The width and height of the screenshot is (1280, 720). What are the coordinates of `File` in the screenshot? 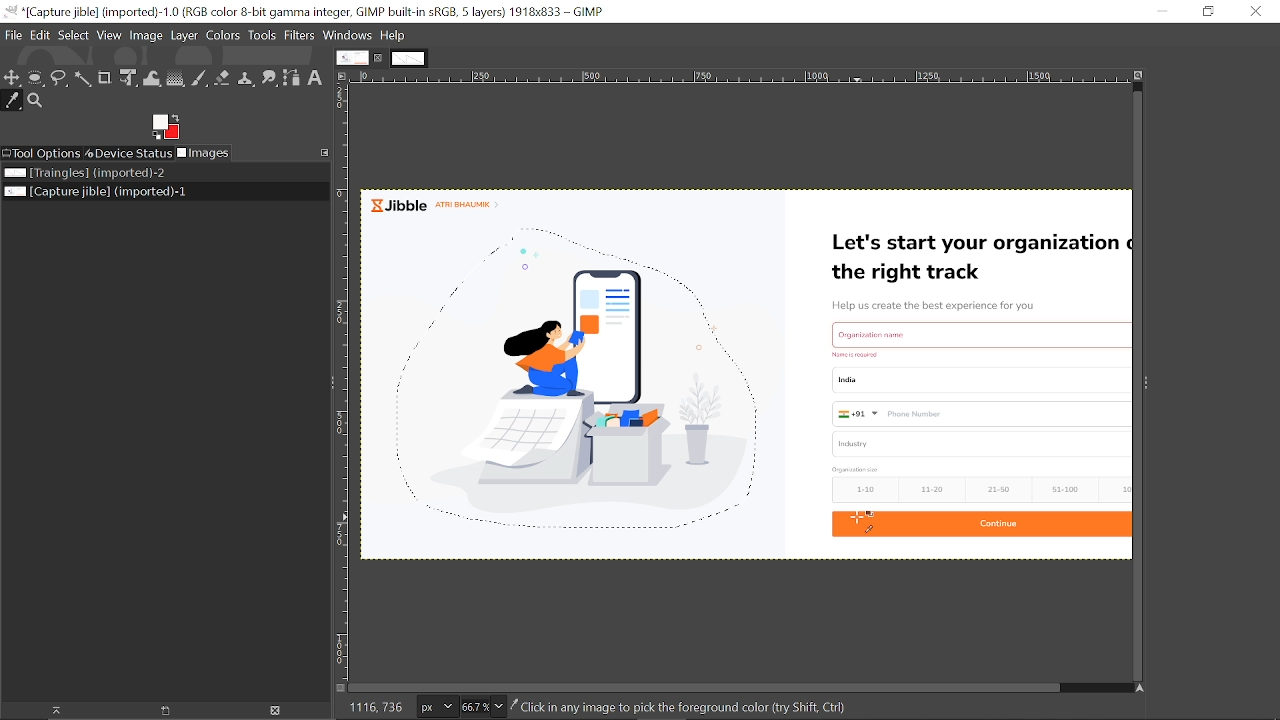 It's located at (13, 35).